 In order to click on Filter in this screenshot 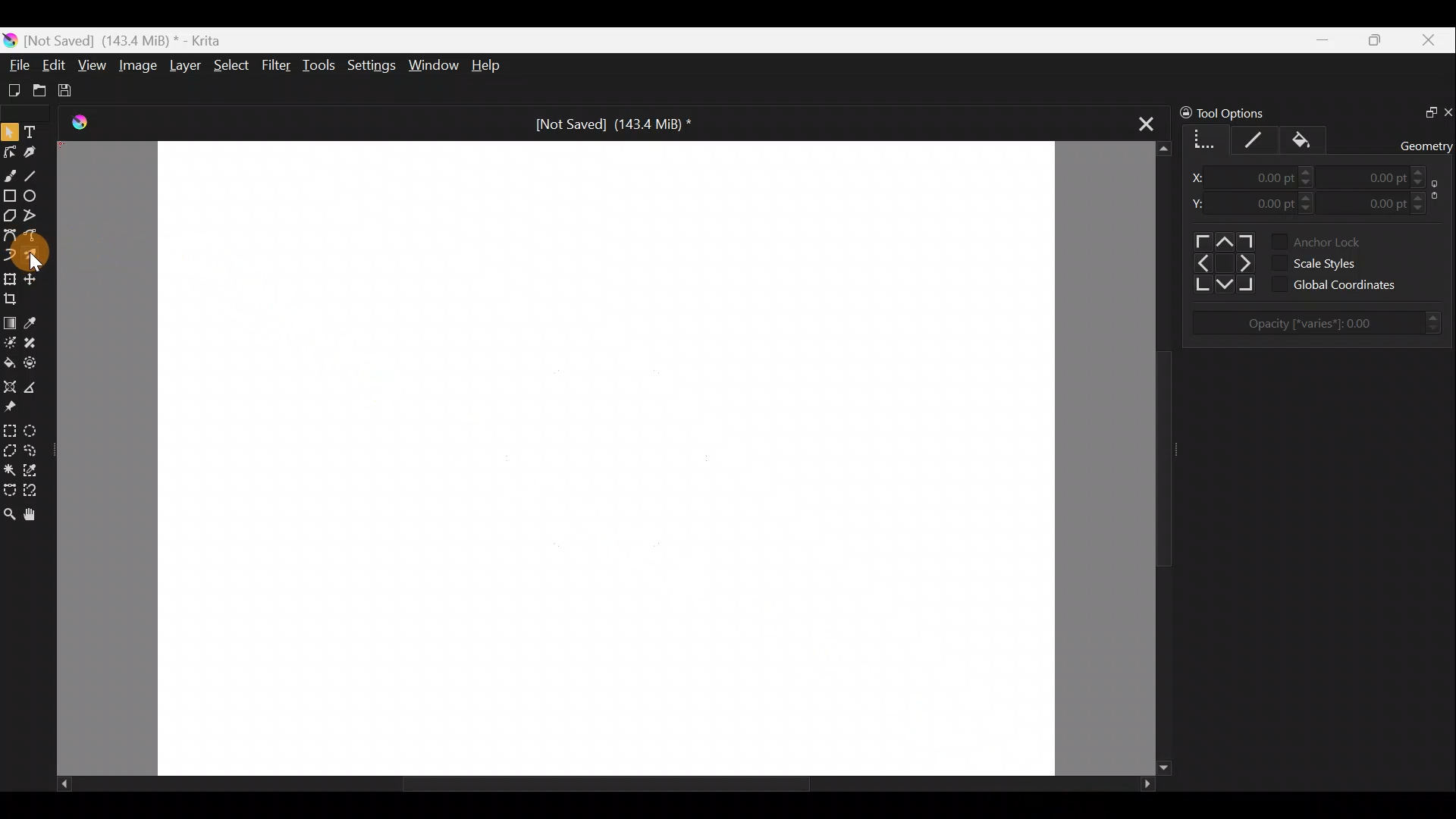, I will do `click(279, 66)`.